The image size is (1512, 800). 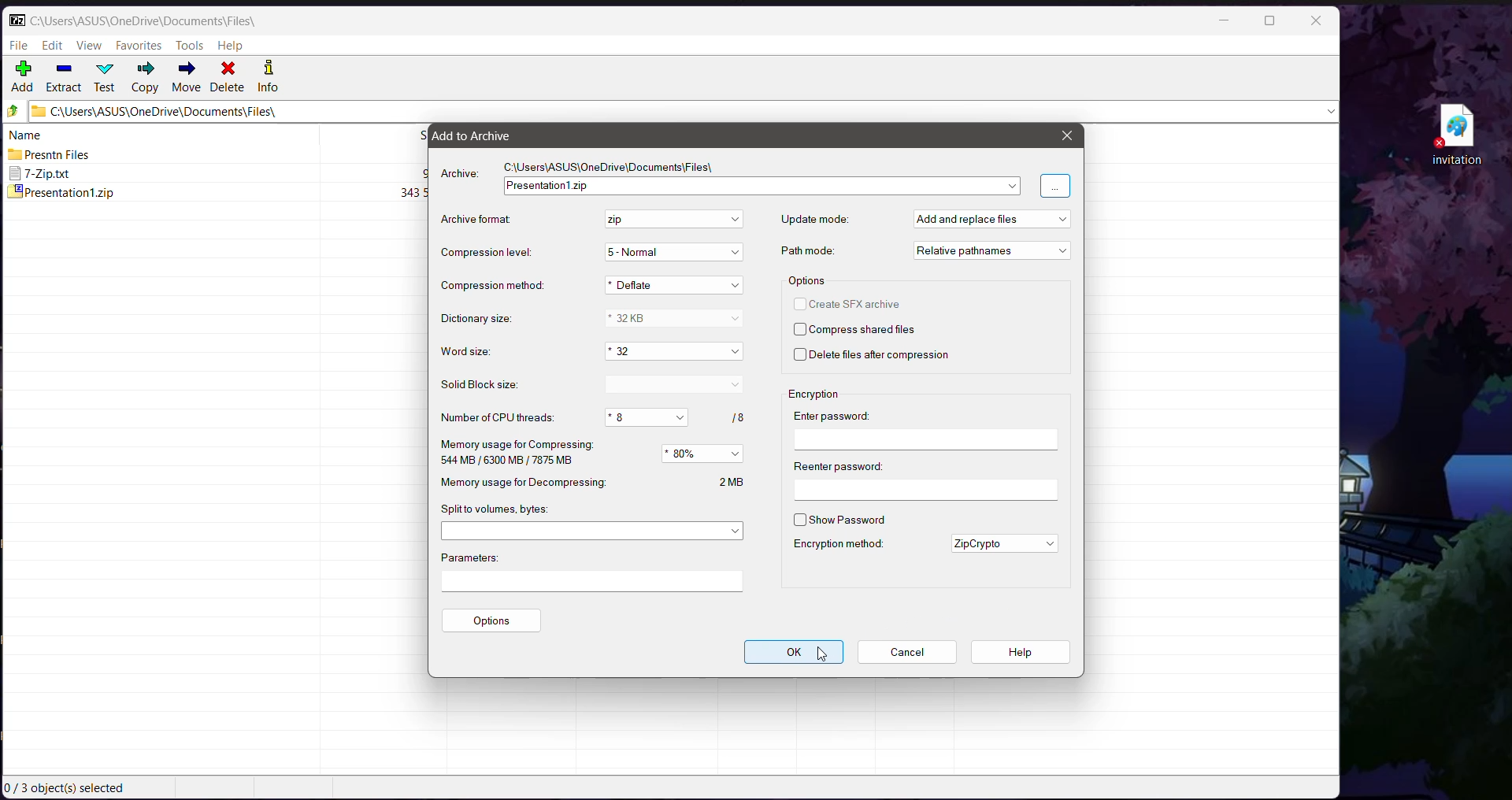 I want to click on Options, so click(x=494, y=621).